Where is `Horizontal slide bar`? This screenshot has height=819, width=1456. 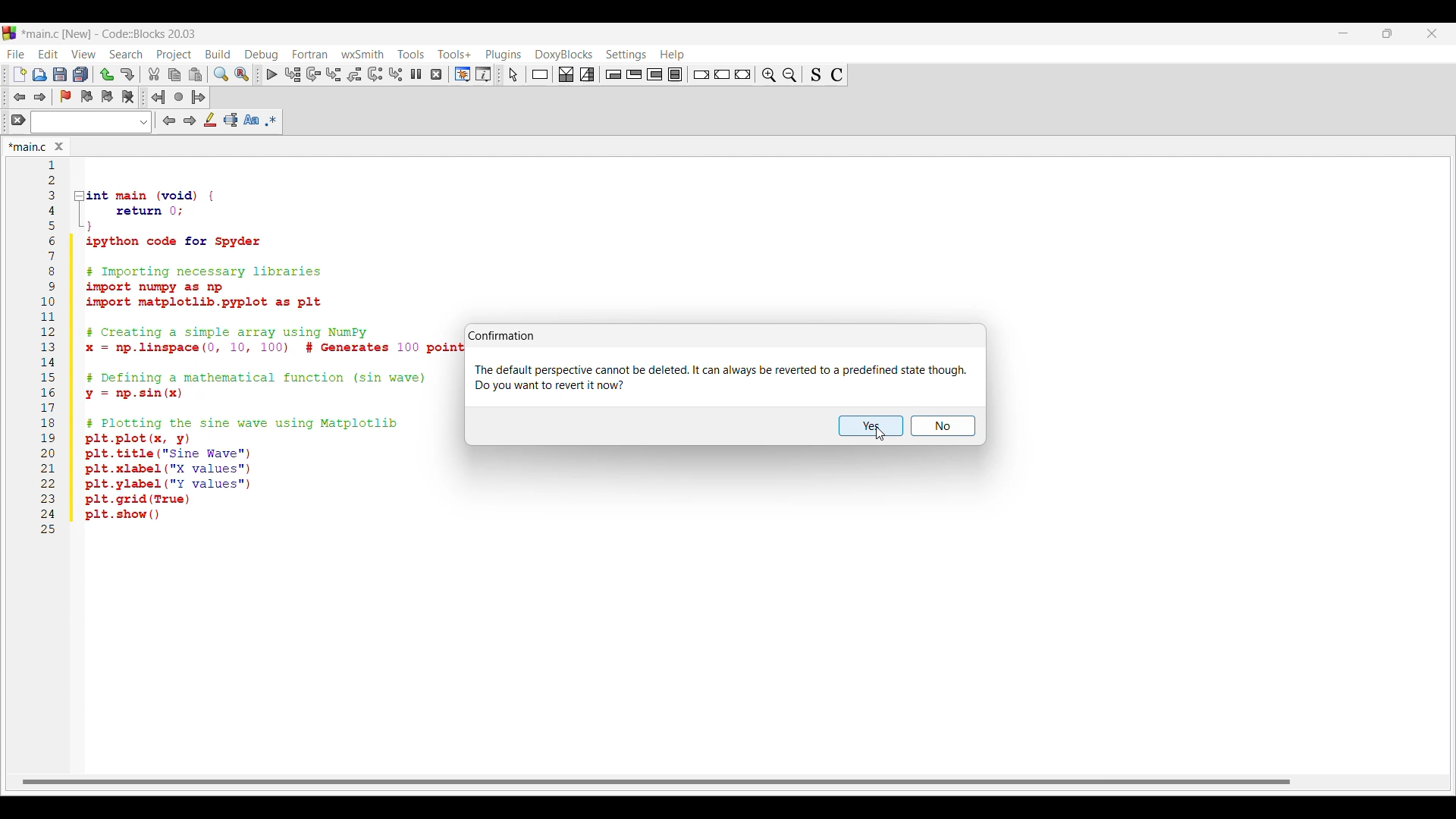
Horizontal slide bar is located at coordinates (656, 783).